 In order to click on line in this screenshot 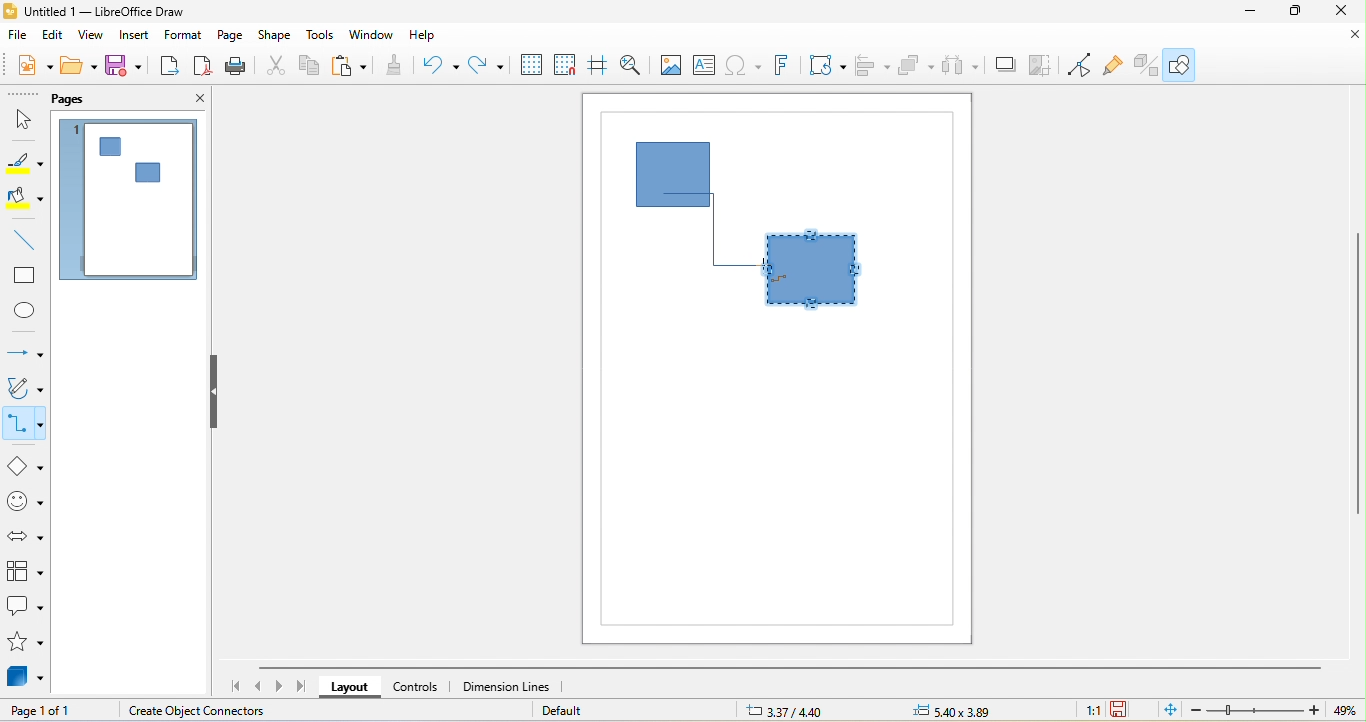, I will do `click(24, 240)`.